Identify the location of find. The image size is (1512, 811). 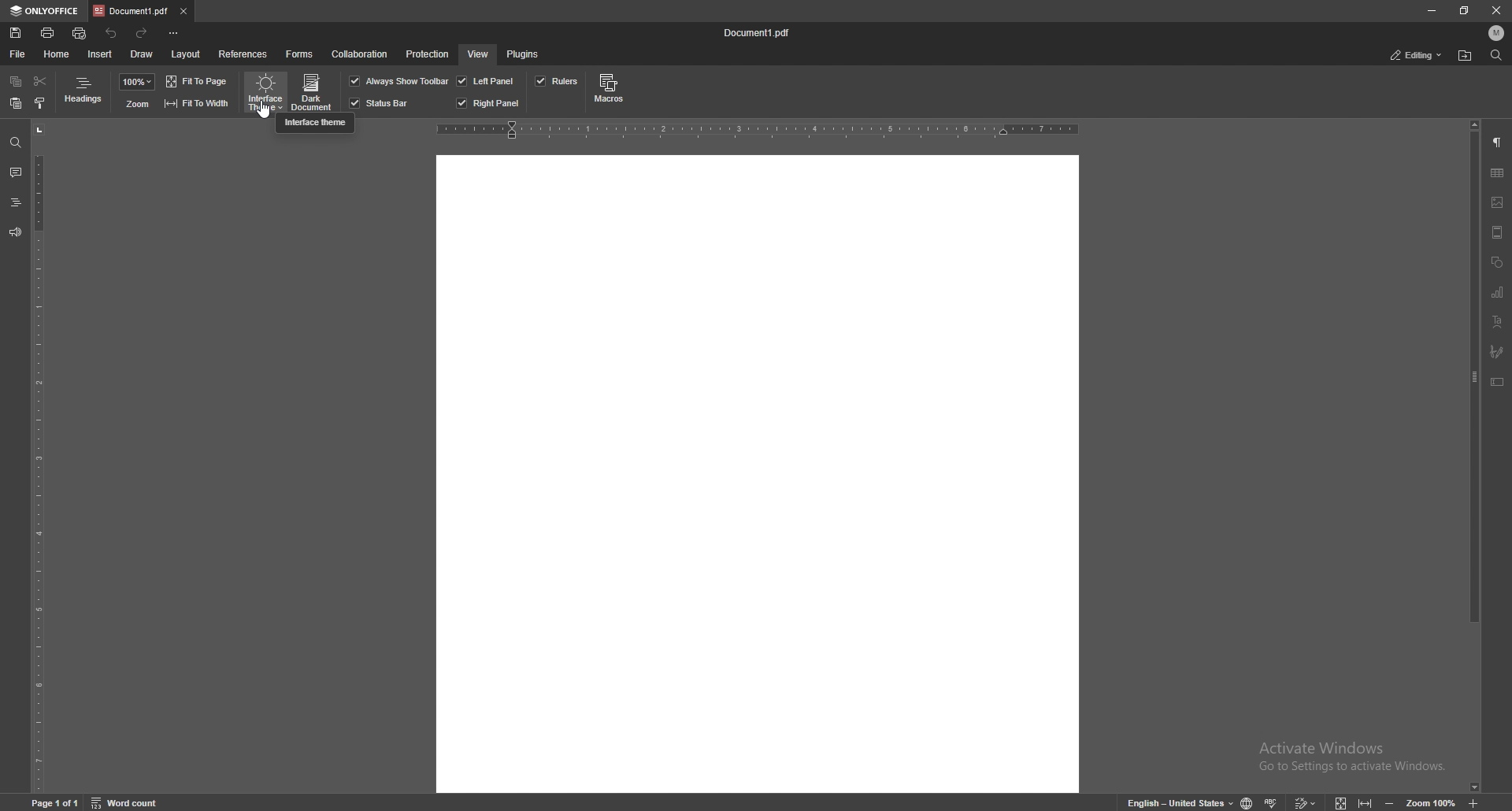
(15, 143).